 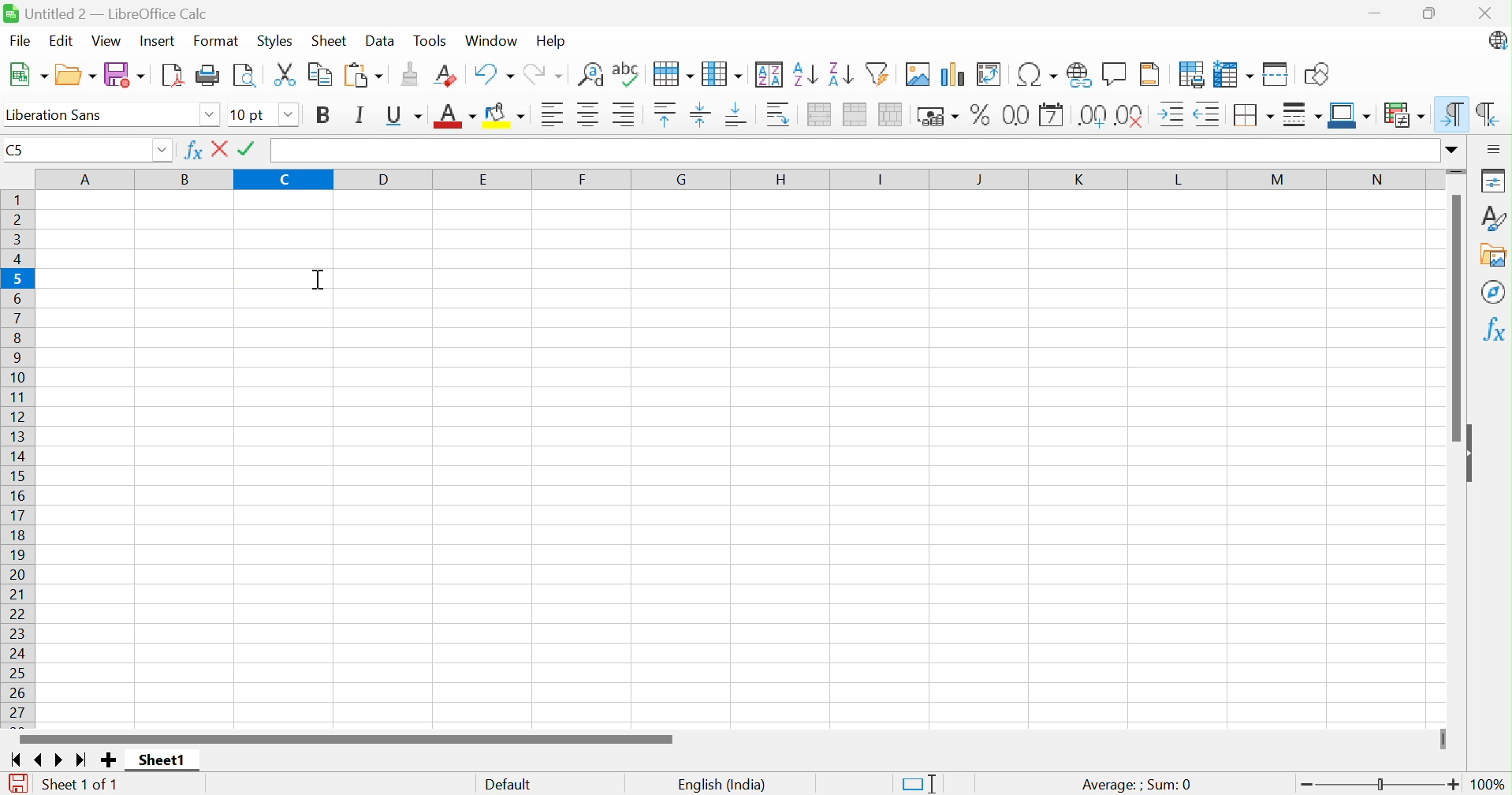 What do you see at coordinates (783, 115) in the screenshot?
I see `Wrap text` at bounding box center [783, 115].